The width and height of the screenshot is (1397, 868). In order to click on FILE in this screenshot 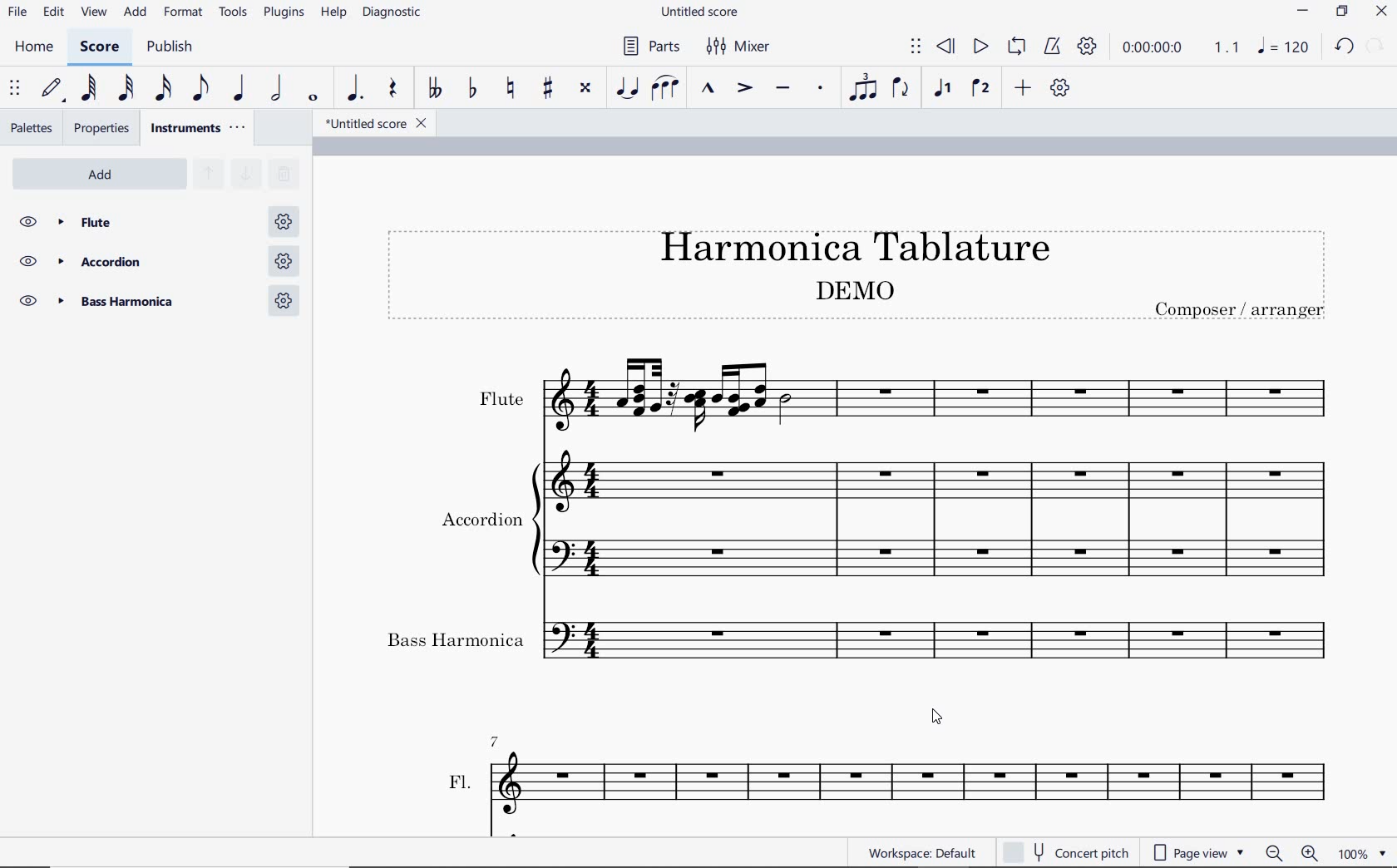, I will do `click(17, 11)`.